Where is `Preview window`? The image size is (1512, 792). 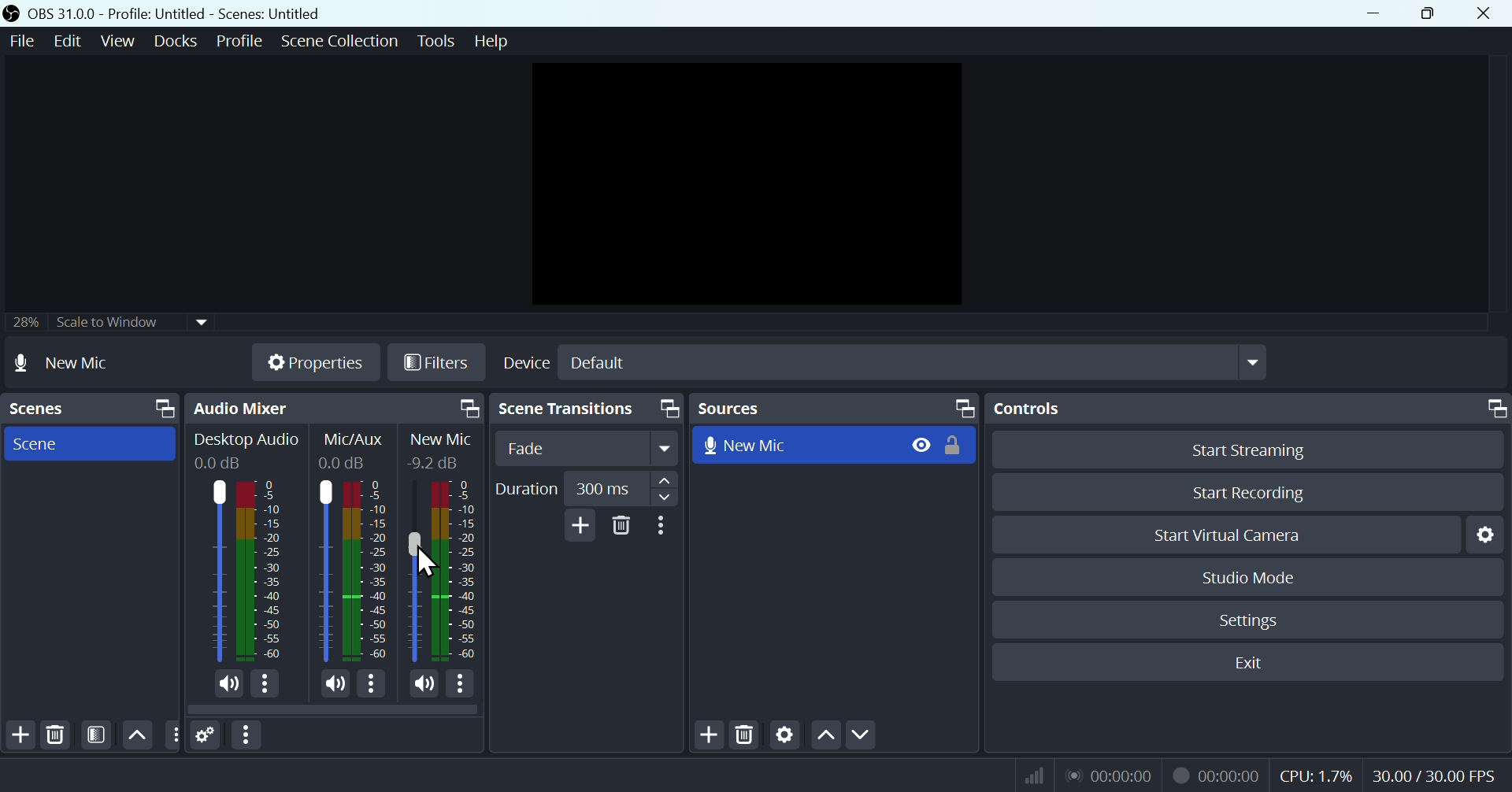
Preview window is located at coordinates (751, 184).